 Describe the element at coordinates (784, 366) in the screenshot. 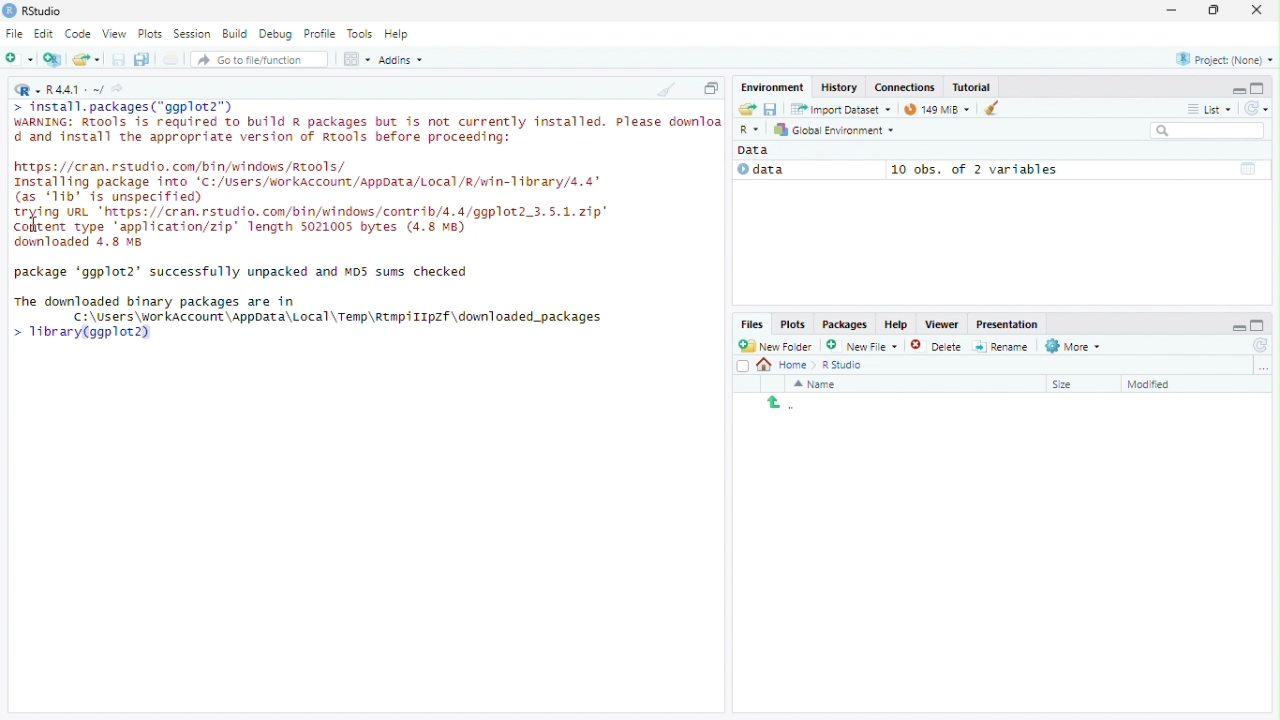

I see `Home` at that location.